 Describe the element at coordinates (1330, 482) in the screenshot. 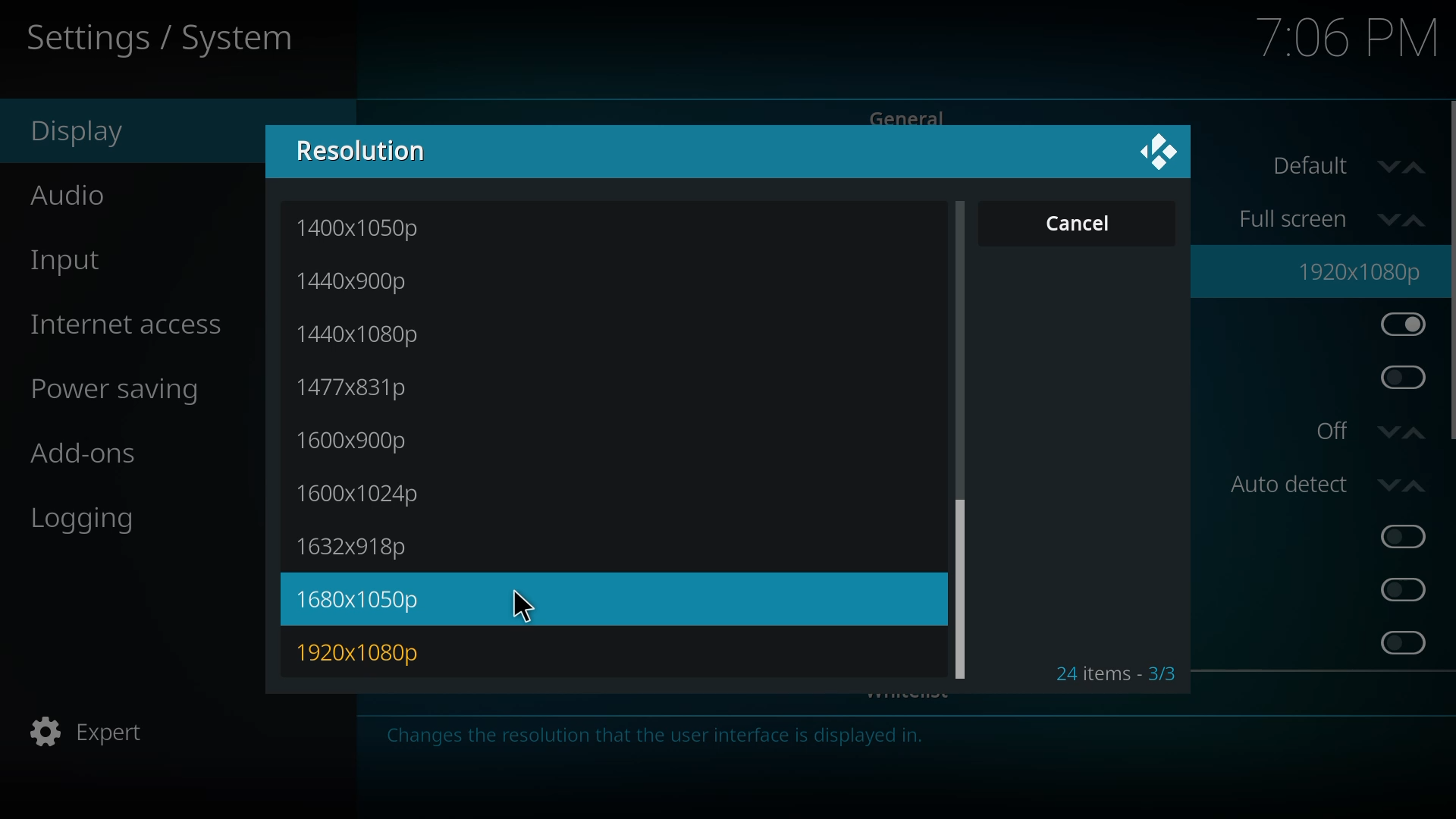

I see `auto detect` at that location.